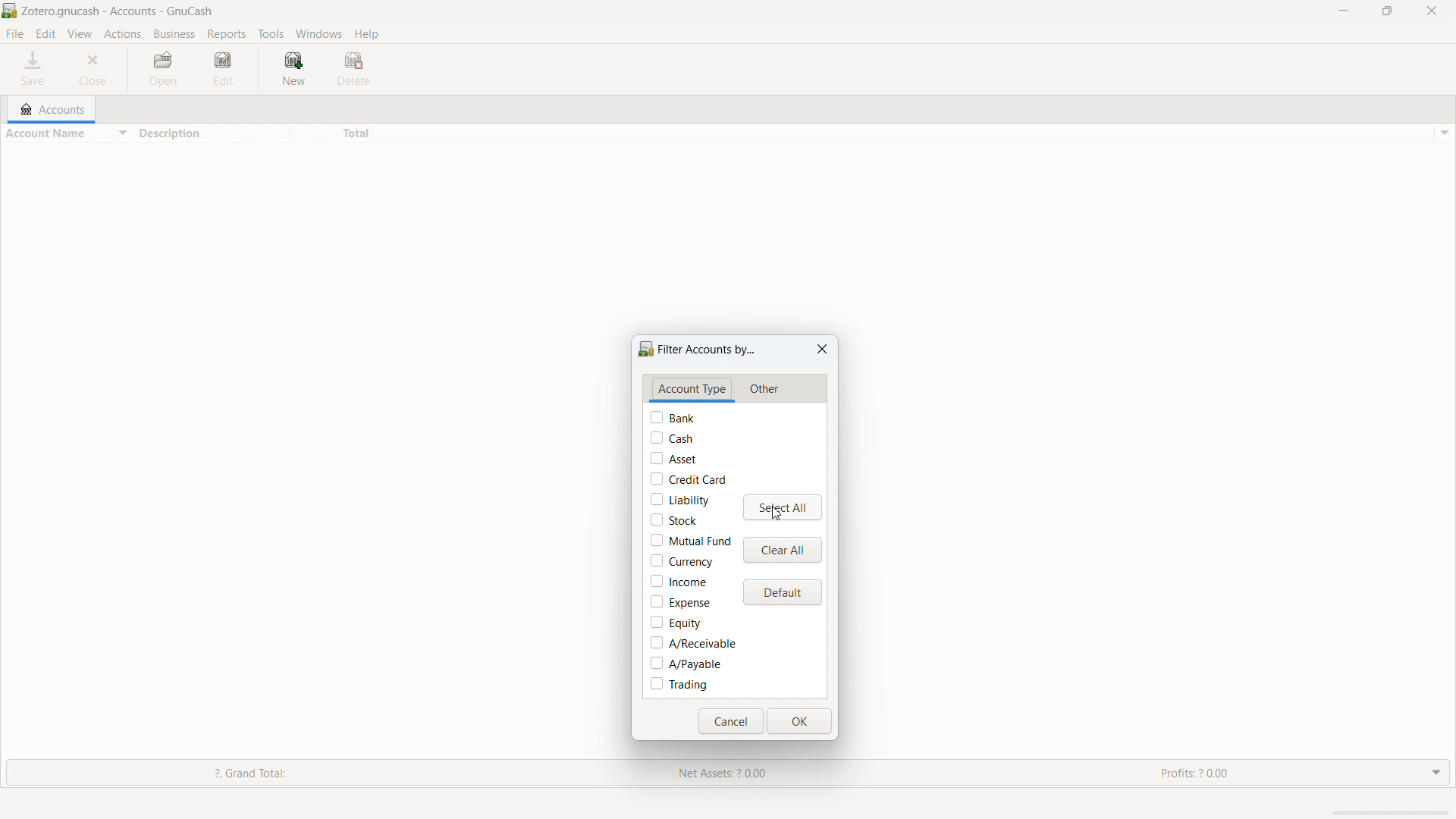 The image size is (1456, 819). Describe the element at coordinates (1387, 11) in the screenshot. I see `maximize` at that location.